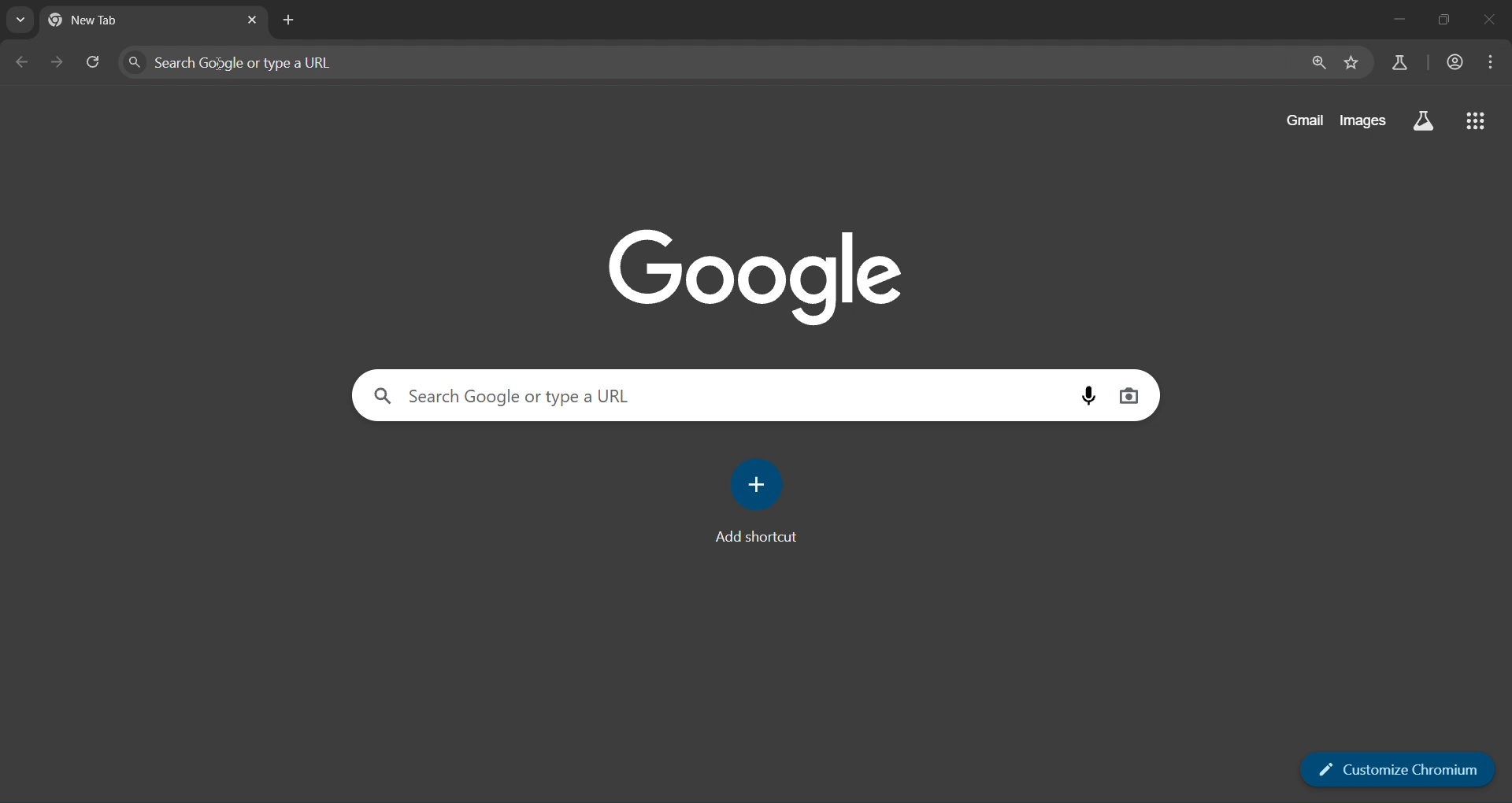 Image resolution: width=1512 pixels, height=803 pixels. What do you see at coordinates (20, 22) in the screenshot?
I see `search tabs` at bounding box center [20, 22].